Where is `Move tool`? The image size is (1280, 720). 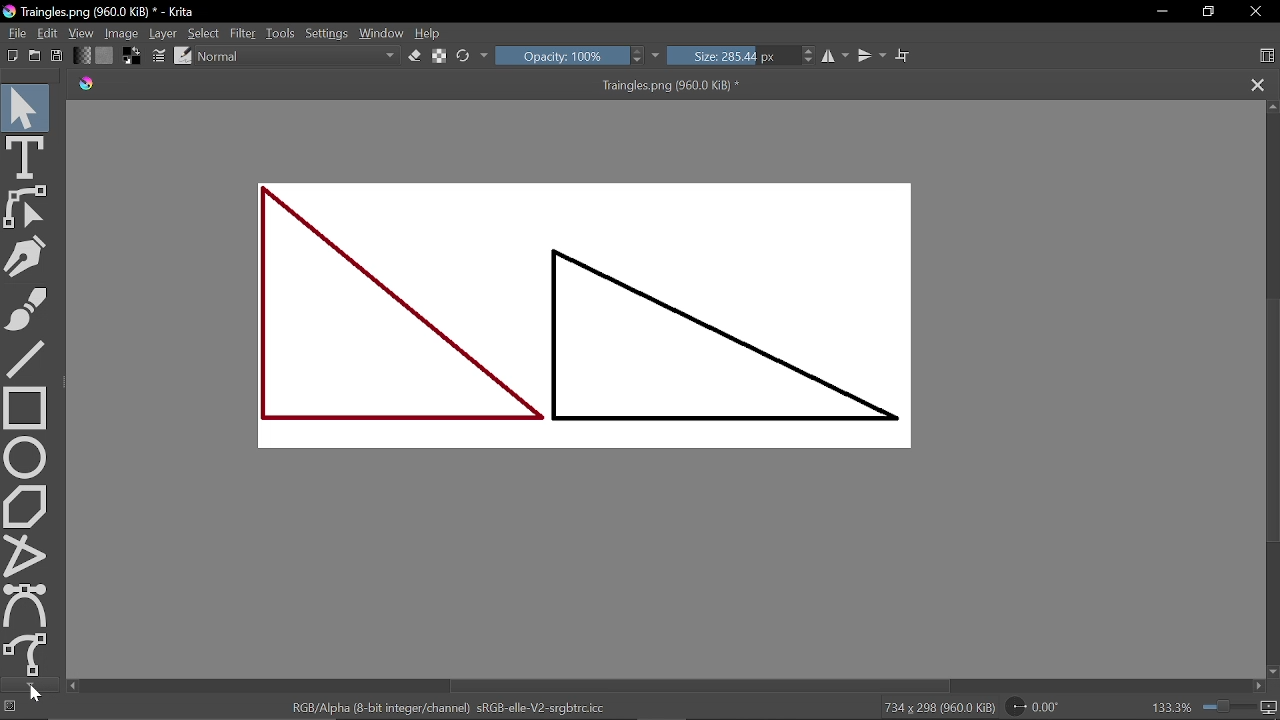 Move tool is located at coordinates (25, 105).